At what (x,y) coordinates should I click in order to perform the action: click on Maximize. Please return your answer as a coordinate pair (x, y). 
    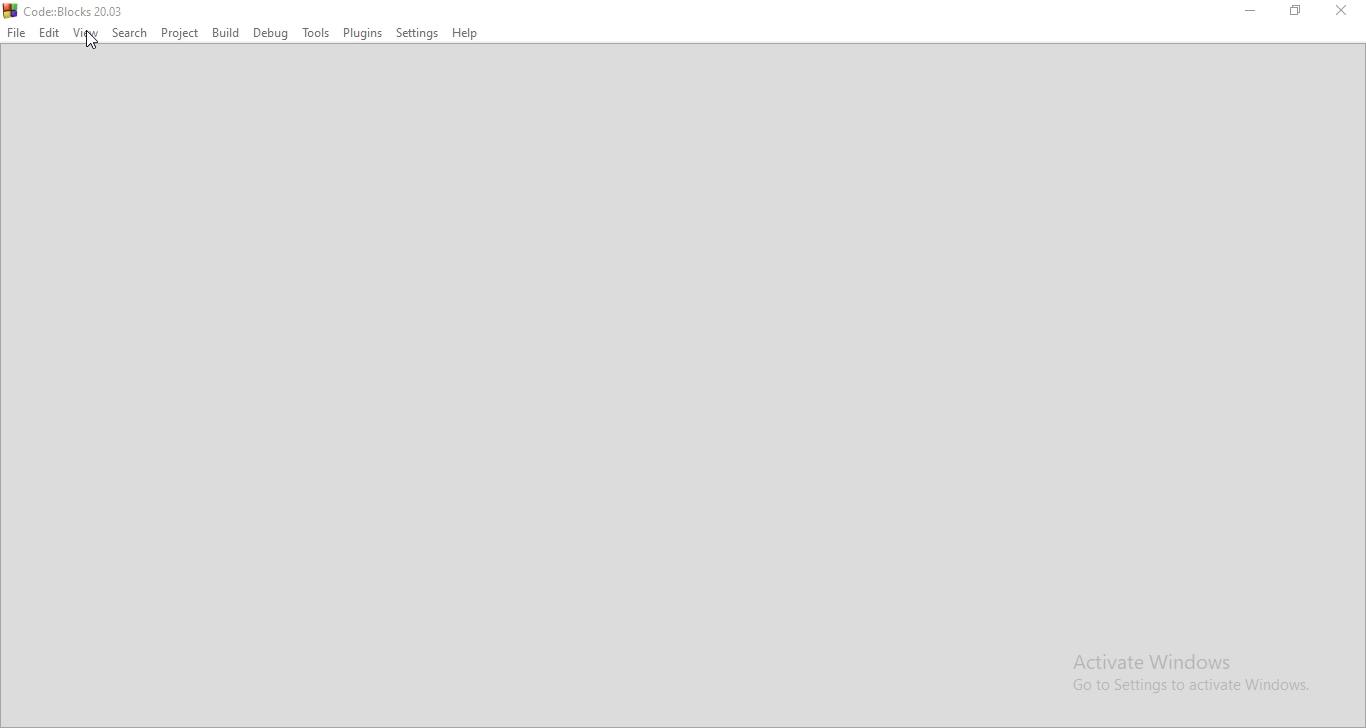
    Looking at the image, I should click on (1297, 11).